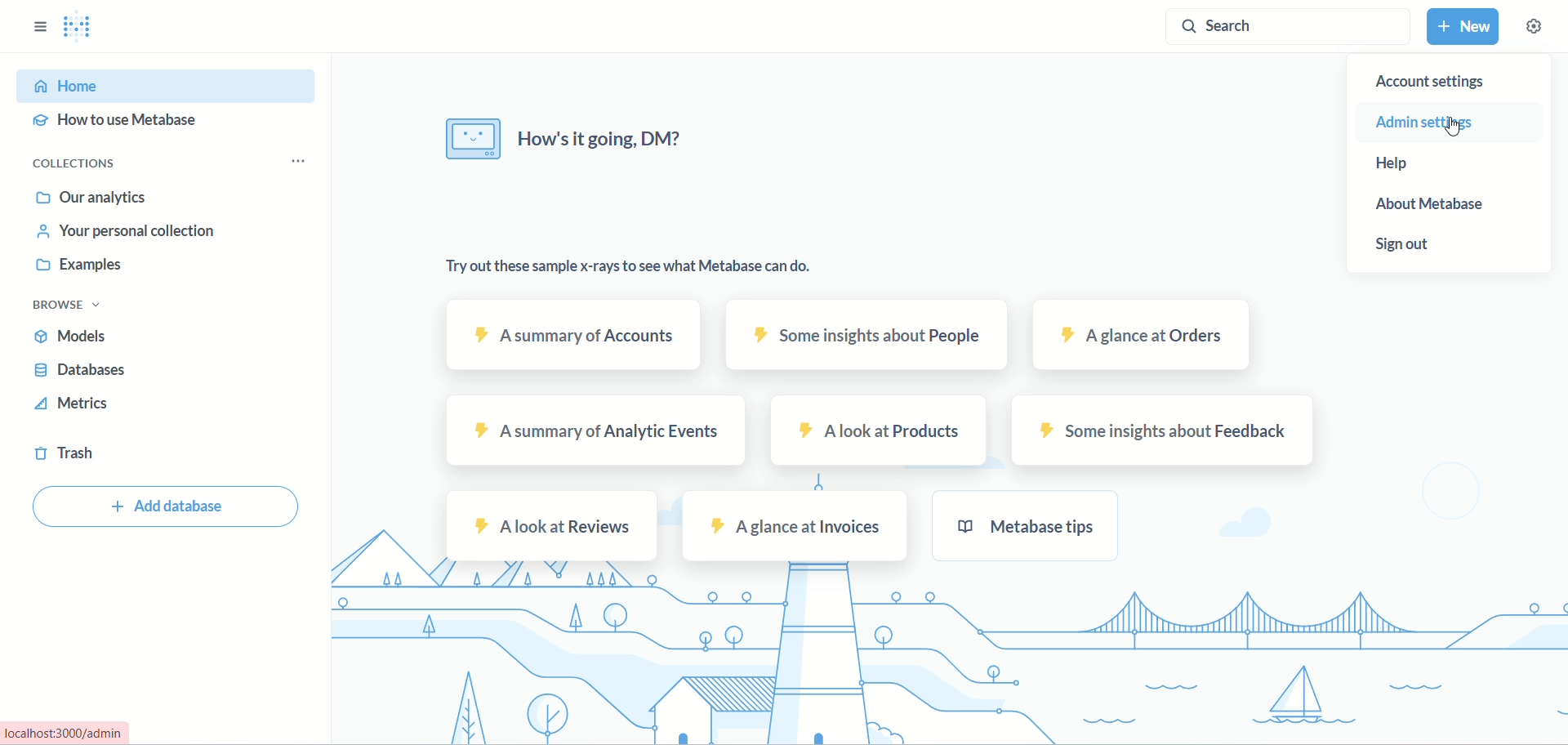 The image size is (1568, 745). I want to click on metrics, so click(71, 403).